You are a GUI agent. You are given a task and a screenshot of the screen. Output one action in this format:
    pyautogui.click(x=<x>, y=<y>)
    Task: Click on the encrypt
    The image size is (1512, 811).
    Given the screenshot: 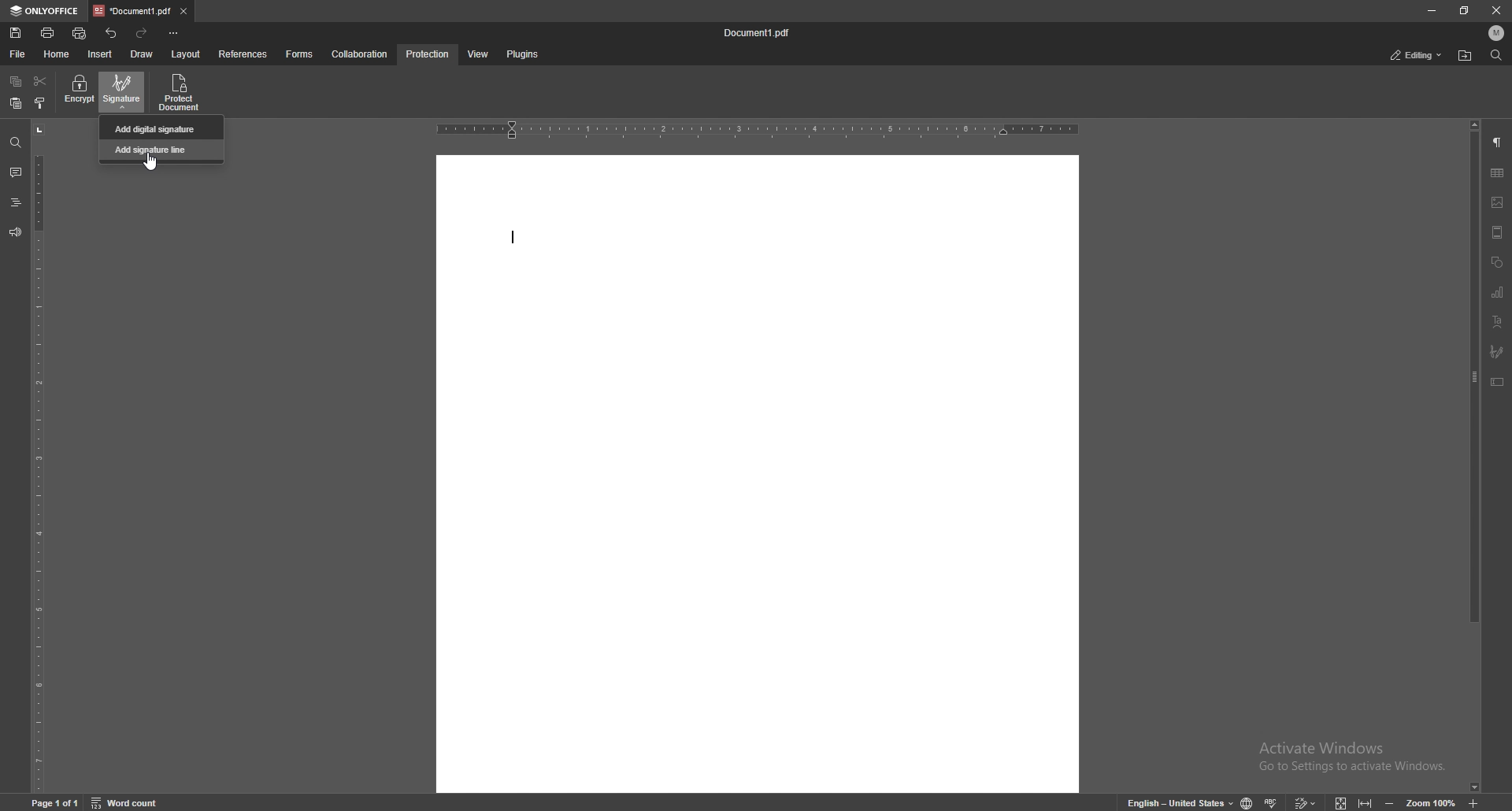 What is the action you would take?
    pyautogui.click(x=79, y=91)
    